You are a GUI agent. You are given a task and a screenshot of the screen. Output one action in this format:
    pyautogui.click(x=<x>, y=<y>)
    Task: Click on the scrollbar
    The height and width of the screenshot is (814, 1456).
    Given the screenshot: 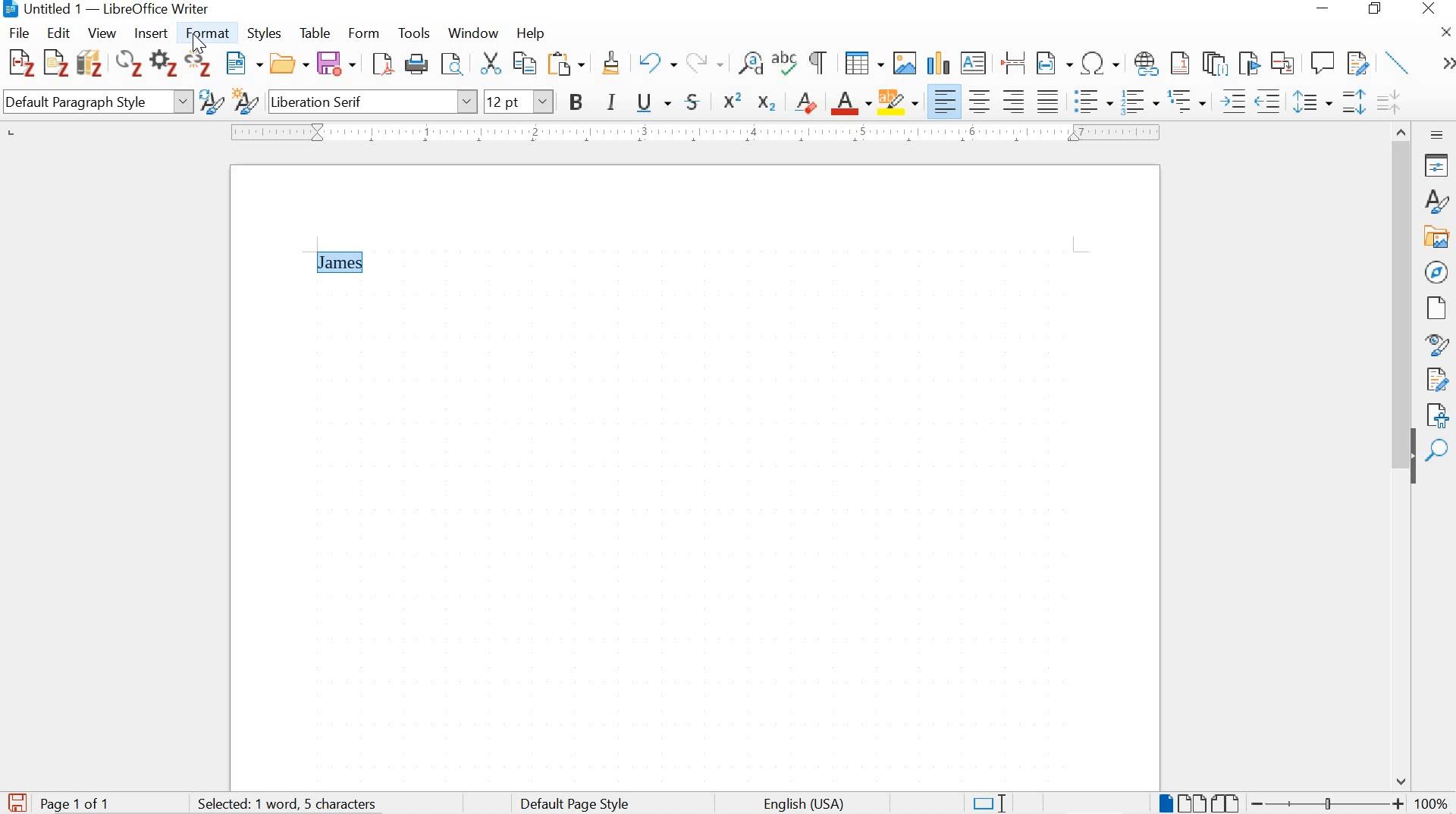 What is the action you would take?
    pyautogui.click(x=1400, y=282)
    